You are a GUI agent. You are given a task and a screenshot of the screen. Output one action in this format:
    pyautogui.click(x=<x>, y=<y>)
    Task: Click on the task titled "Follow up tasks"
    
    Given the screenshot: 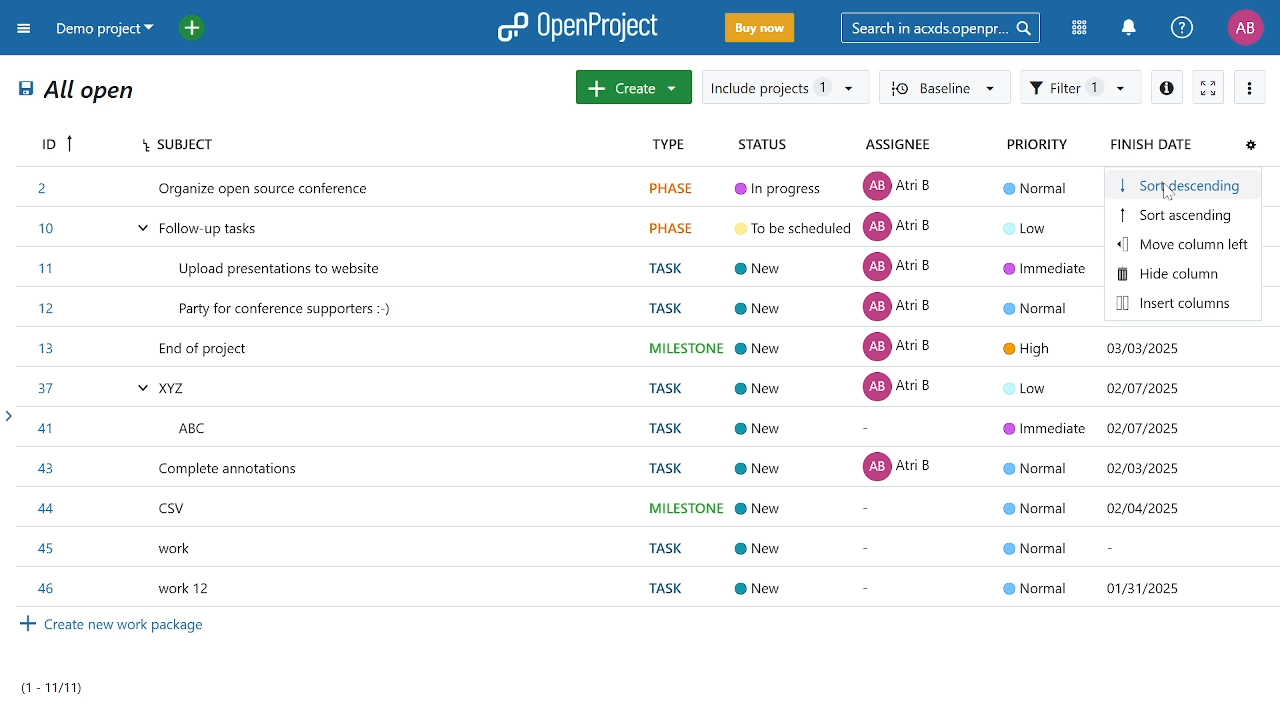 What is the action you would take?
    pyautogui.click(x=564, y=228)
    